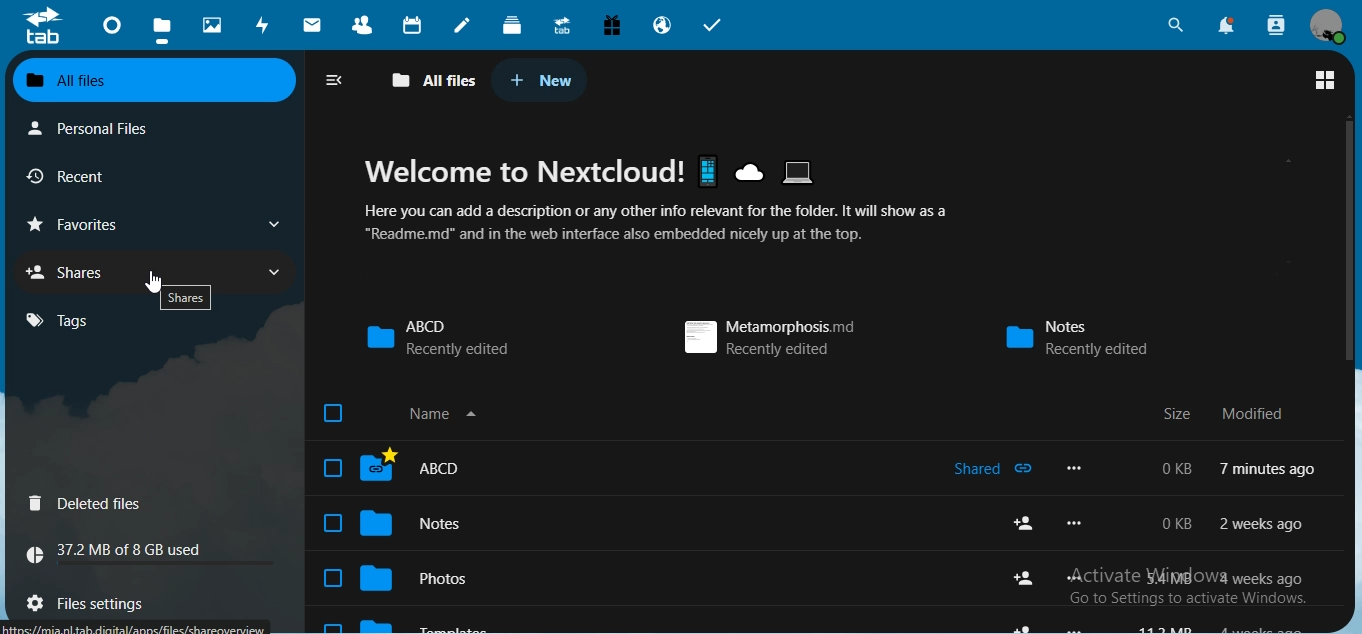 The width and height of the screenshot is (1362, 634). What do you see at coordinates (638, 523) in the screenshot?
I see `NOTES` at bounding box center [638, 523].